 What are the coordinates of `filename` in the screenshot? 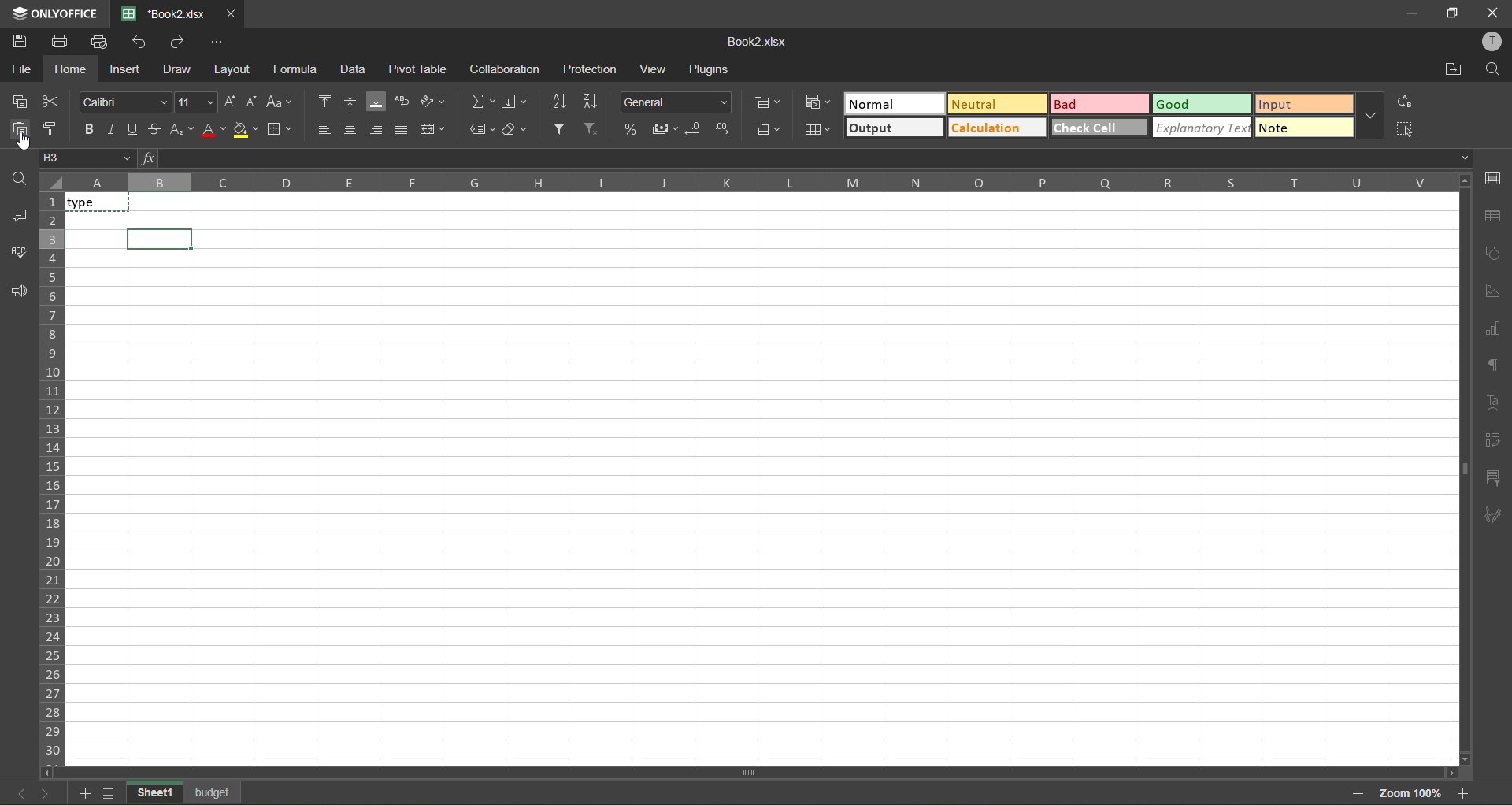 It's located at (762, 43).